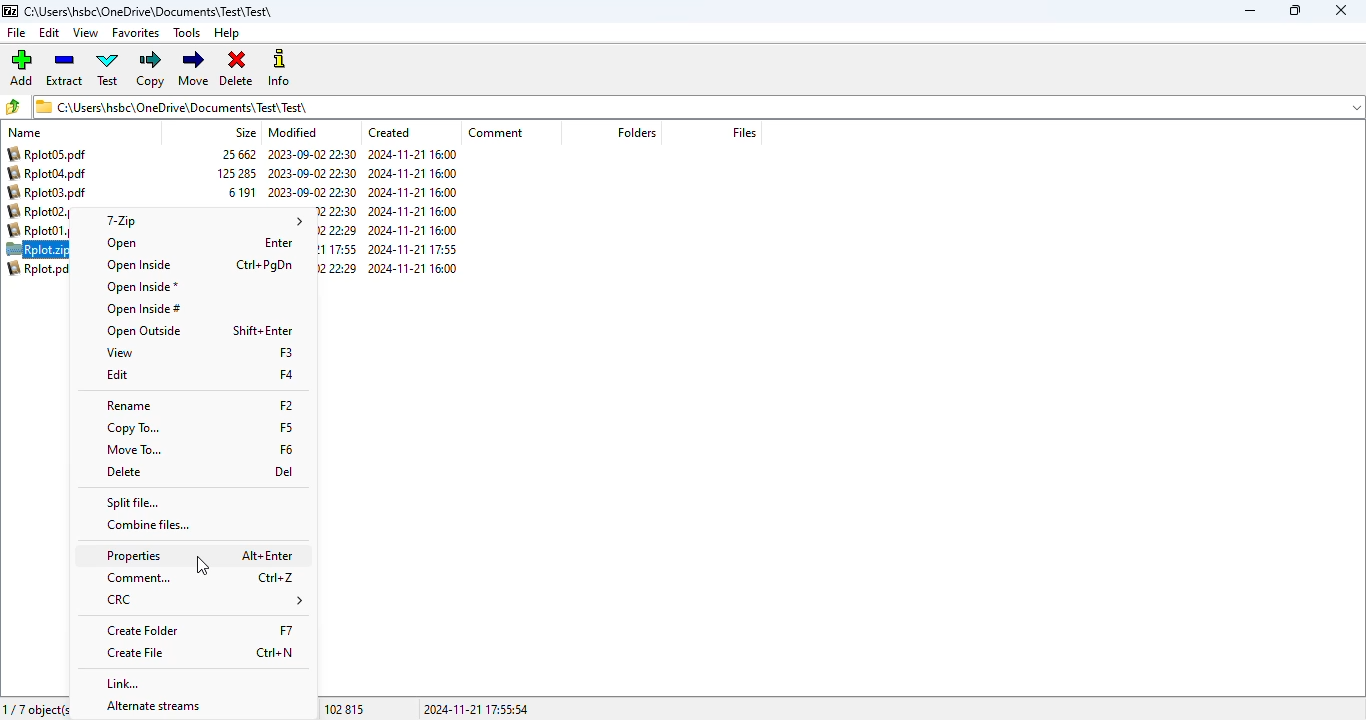 Image resolution: width=1366 pixels, height=720 pixels. Describe the element at coordinates (293, 132) in the screenshot. I see `modified` at that location.